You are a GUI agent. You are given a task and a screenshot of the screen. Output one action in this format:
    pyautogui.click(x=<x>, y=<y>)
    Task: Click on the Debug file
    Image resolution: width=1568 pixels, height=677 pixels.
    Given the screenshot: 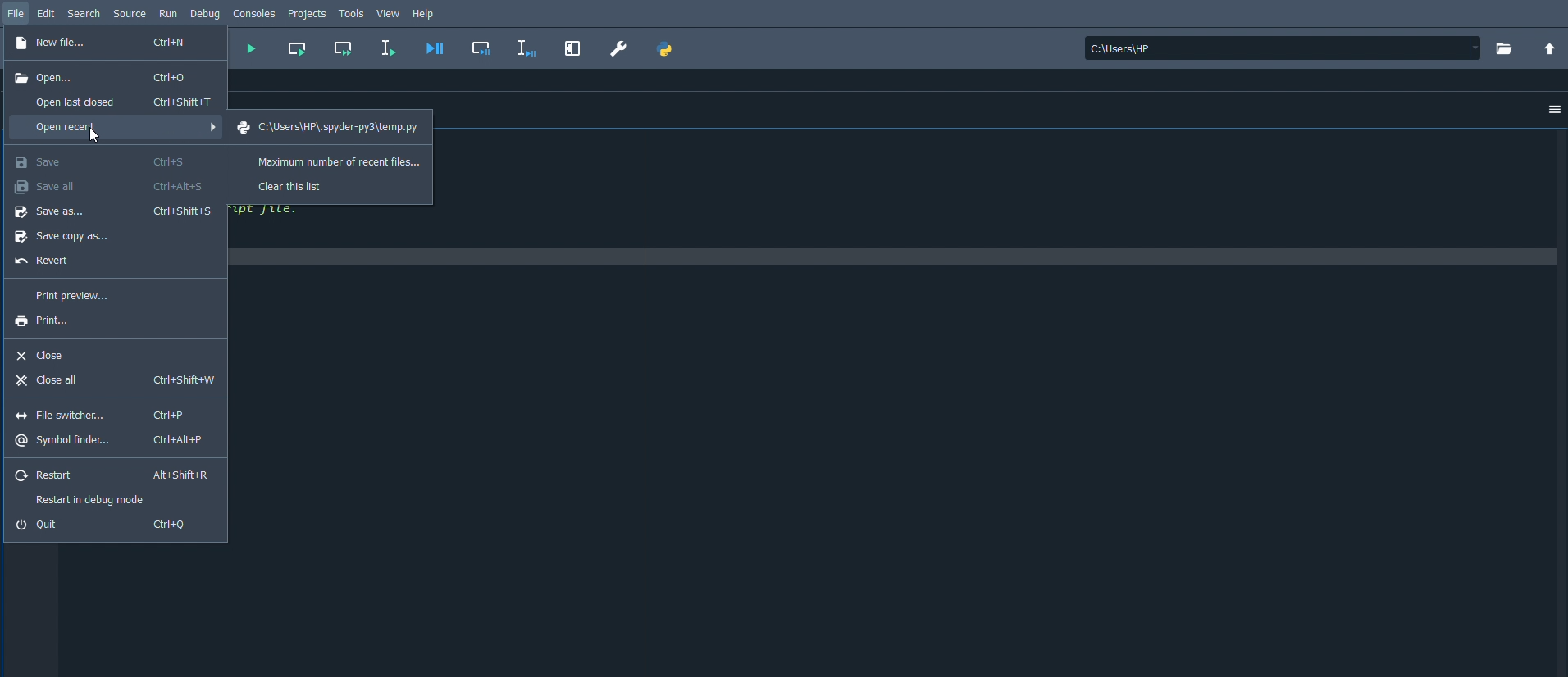 What is the action you would take?
    pyautogui.click(x=435, y=48)
    